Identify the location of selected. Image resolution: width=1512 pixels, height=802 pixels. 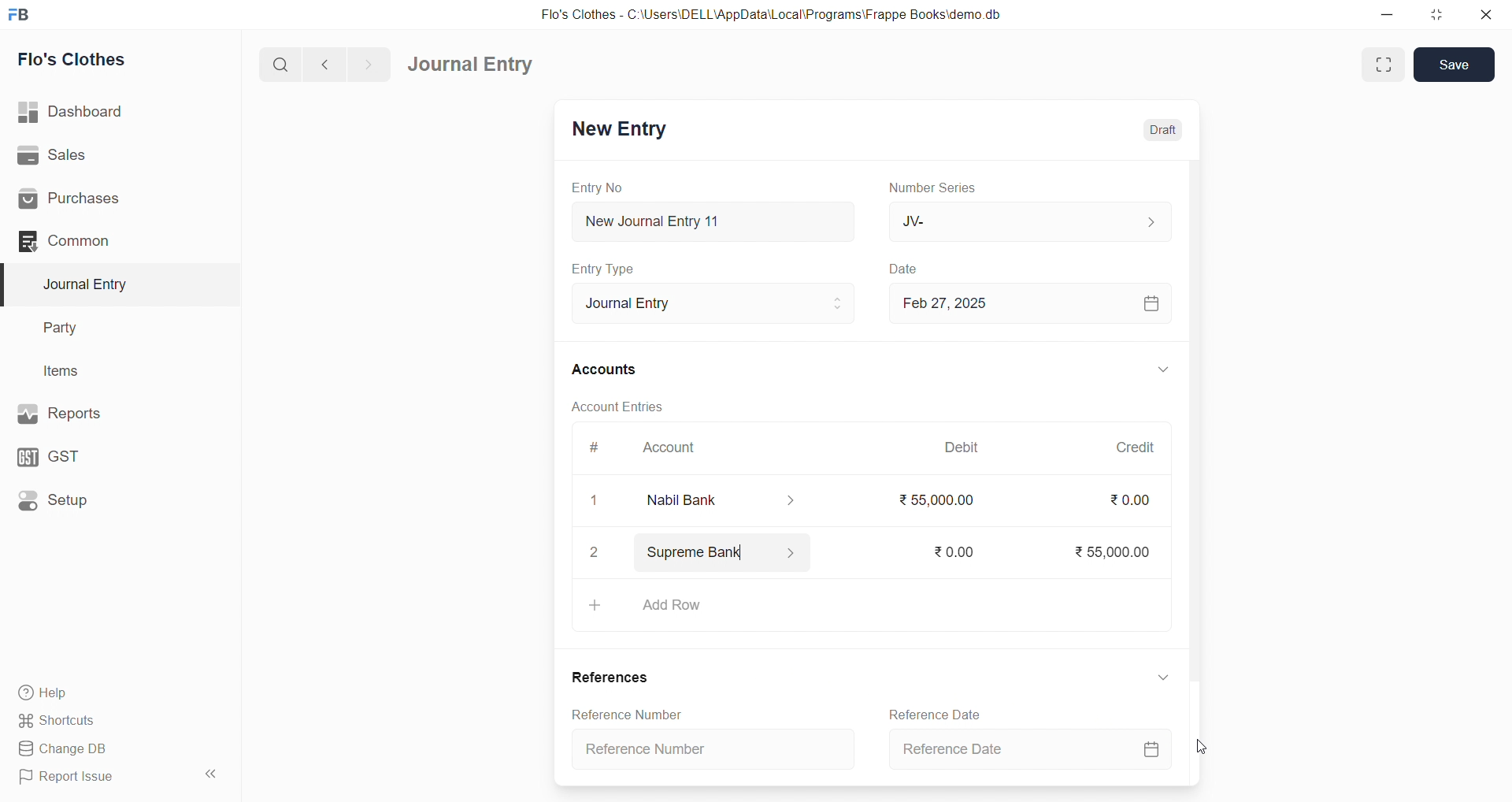
(9, 284).